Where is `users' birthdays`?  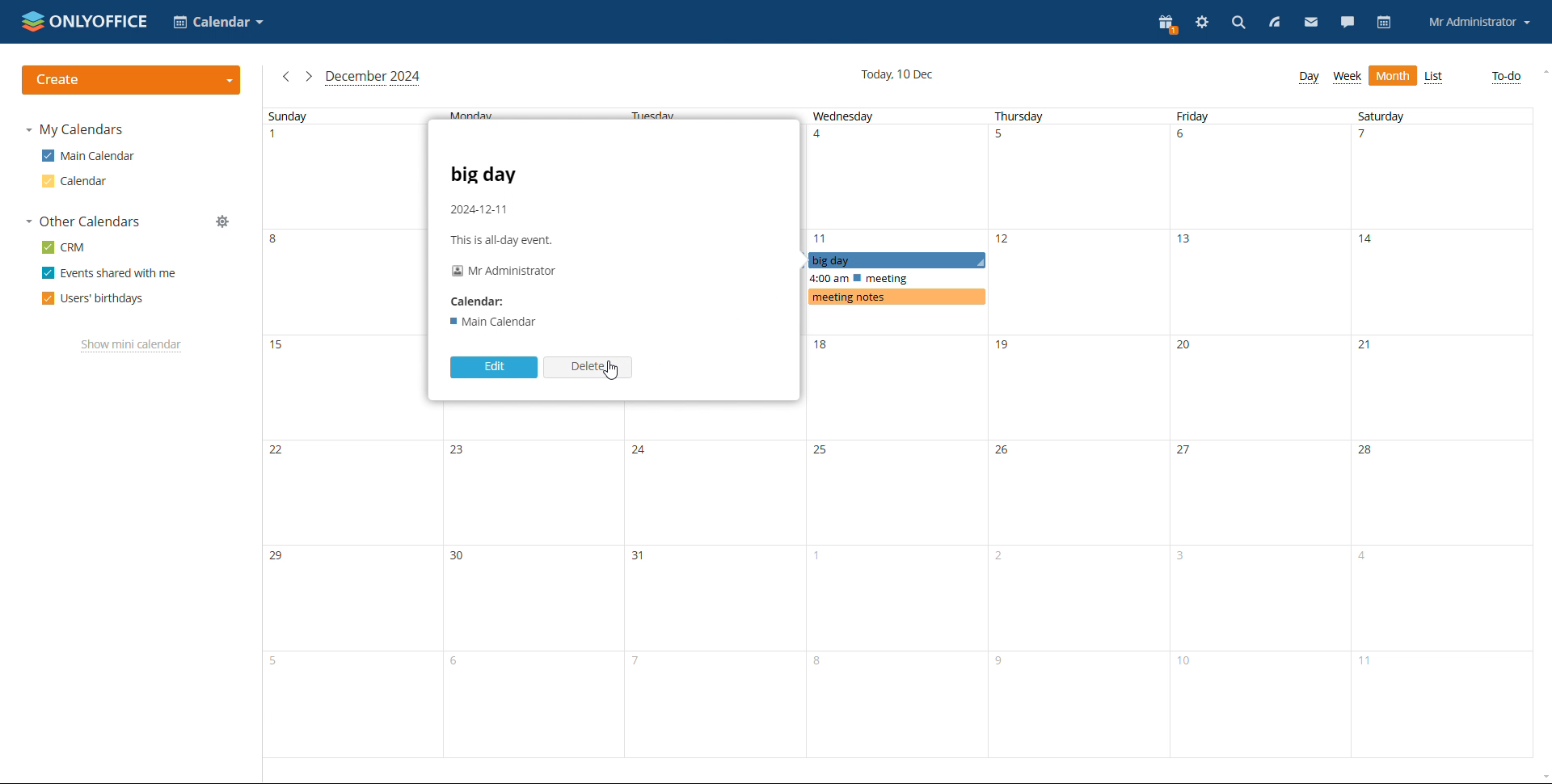 users' birthdays is located at coordinates (92, 299).